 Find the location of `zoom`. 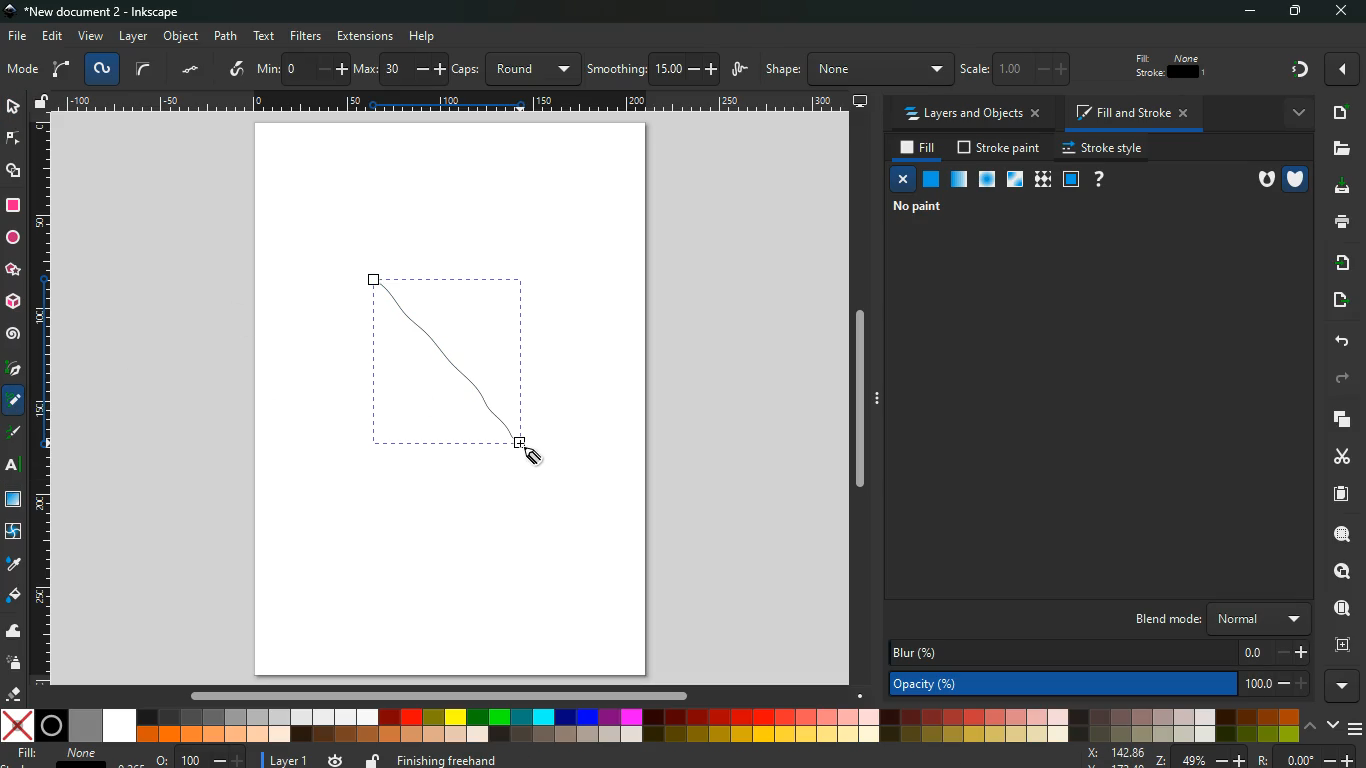

zoom is located at coordinates (1222, 758).